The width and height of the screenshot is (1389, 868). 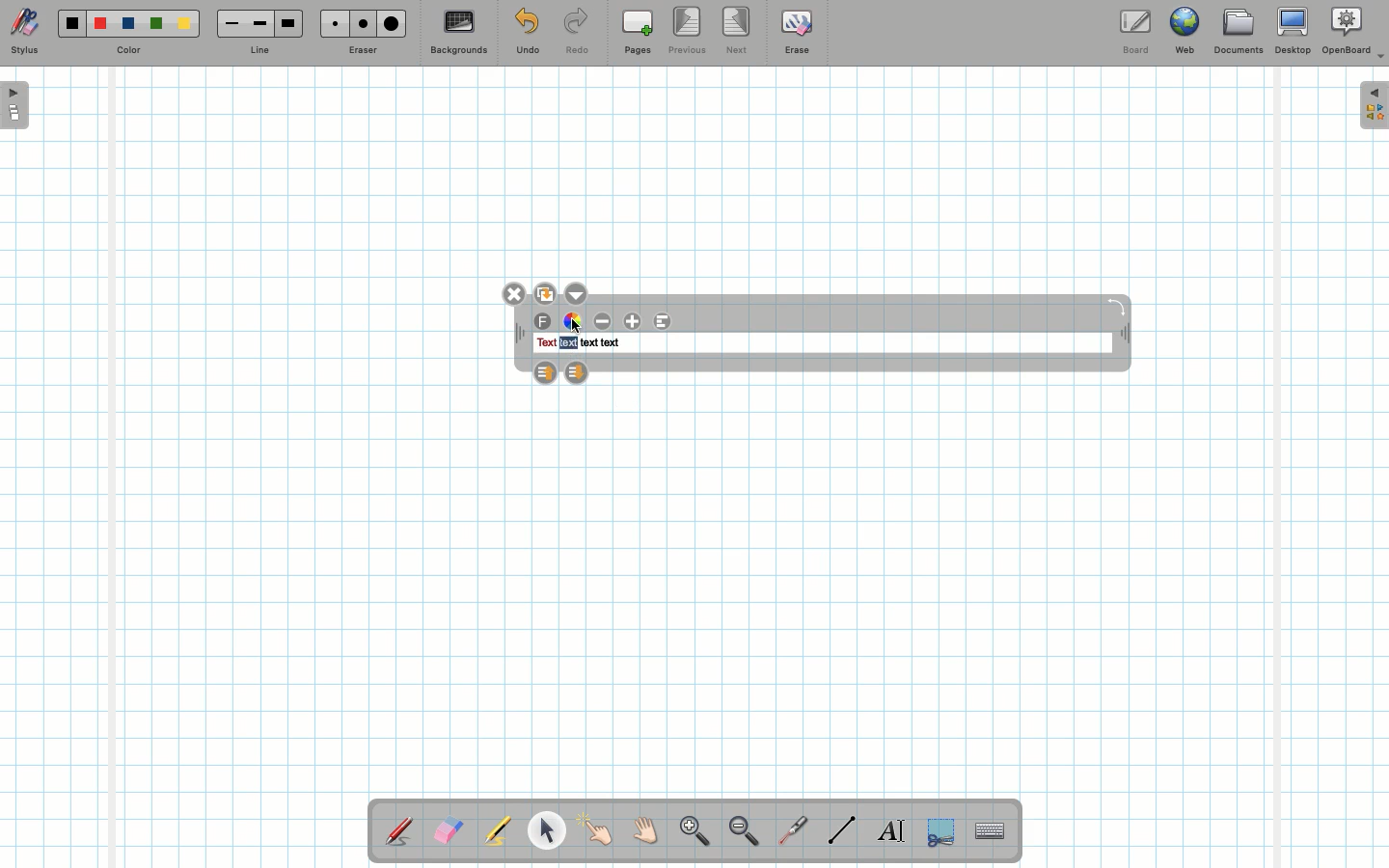 I want to click on Eraser, so click(x=362, y=52).